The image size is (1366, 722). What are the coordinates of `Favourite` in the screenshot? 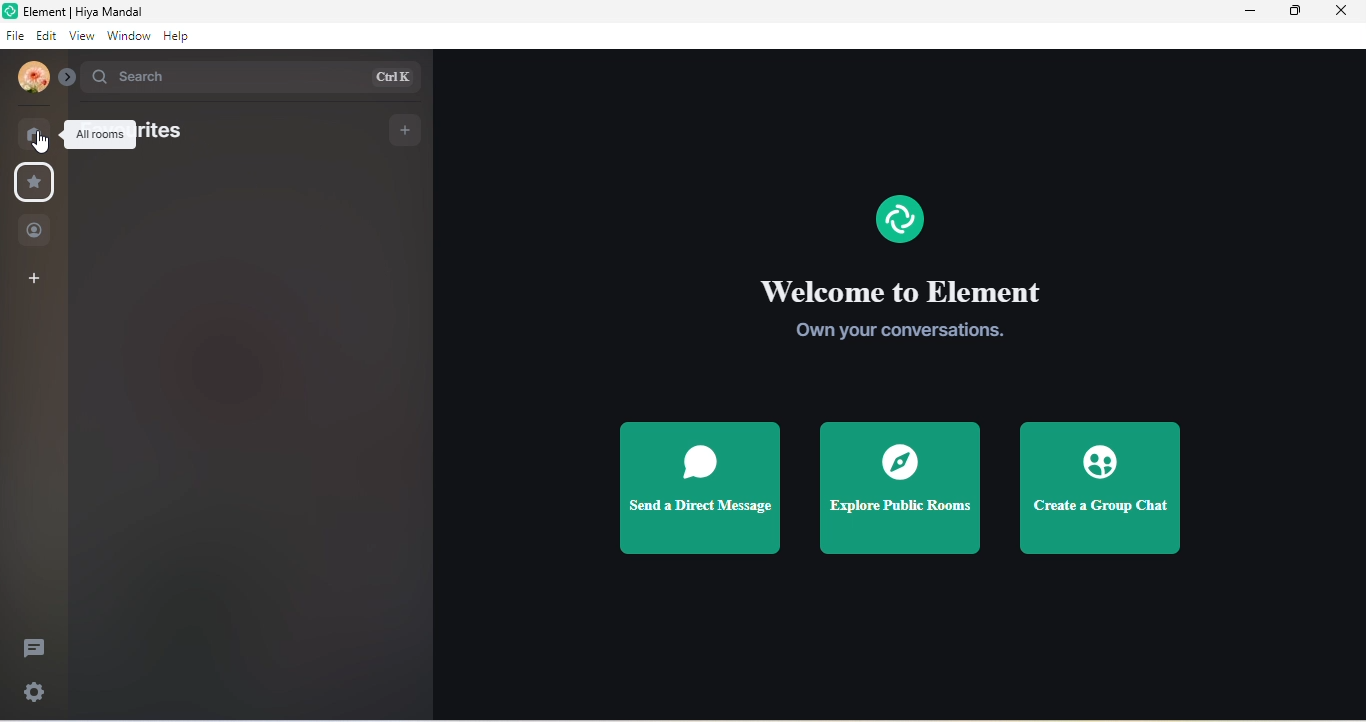 It's located at (34, 182).